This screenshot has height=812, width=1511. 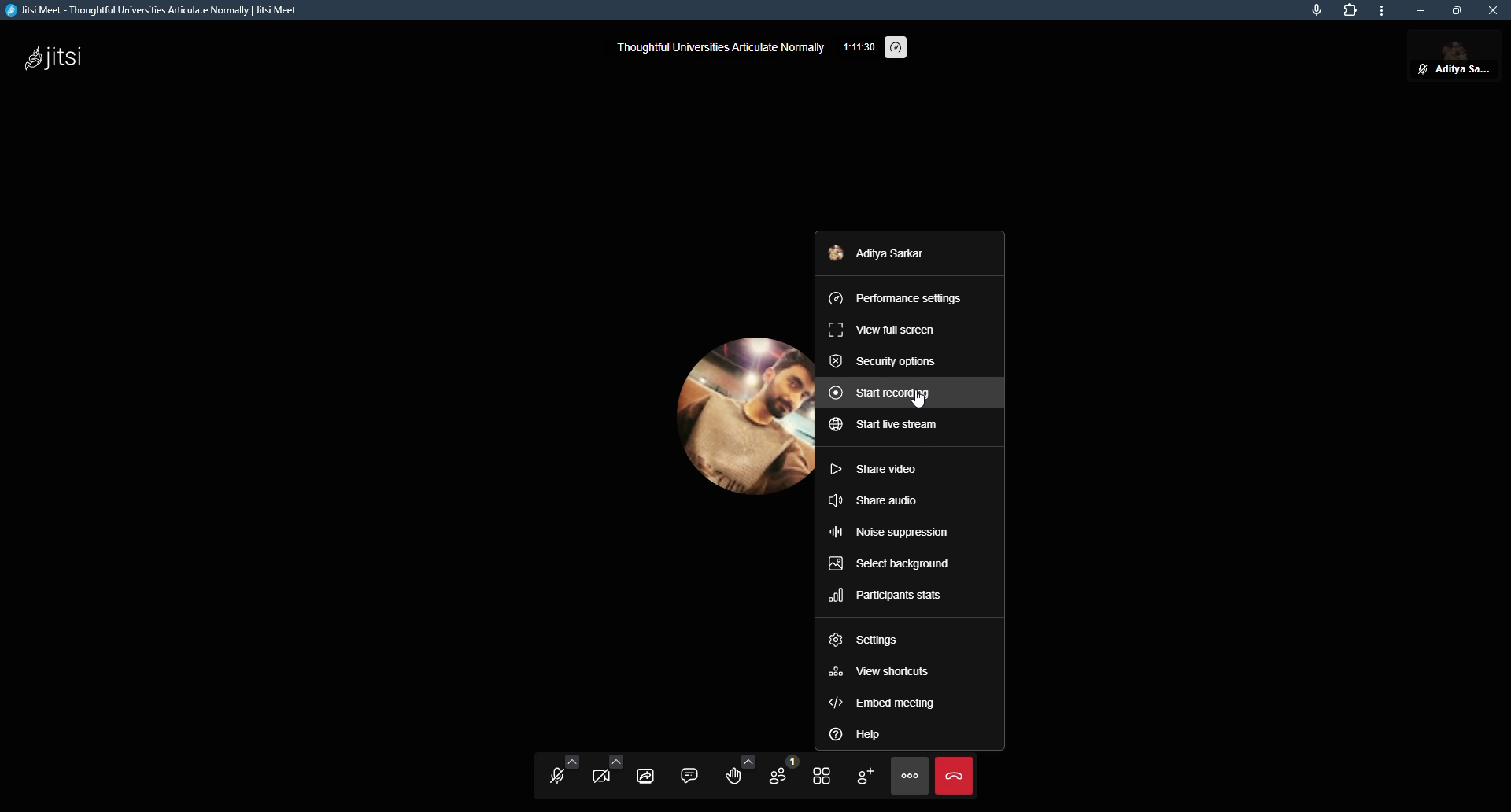 I want to click on mic, so click(x=1315, y=10).